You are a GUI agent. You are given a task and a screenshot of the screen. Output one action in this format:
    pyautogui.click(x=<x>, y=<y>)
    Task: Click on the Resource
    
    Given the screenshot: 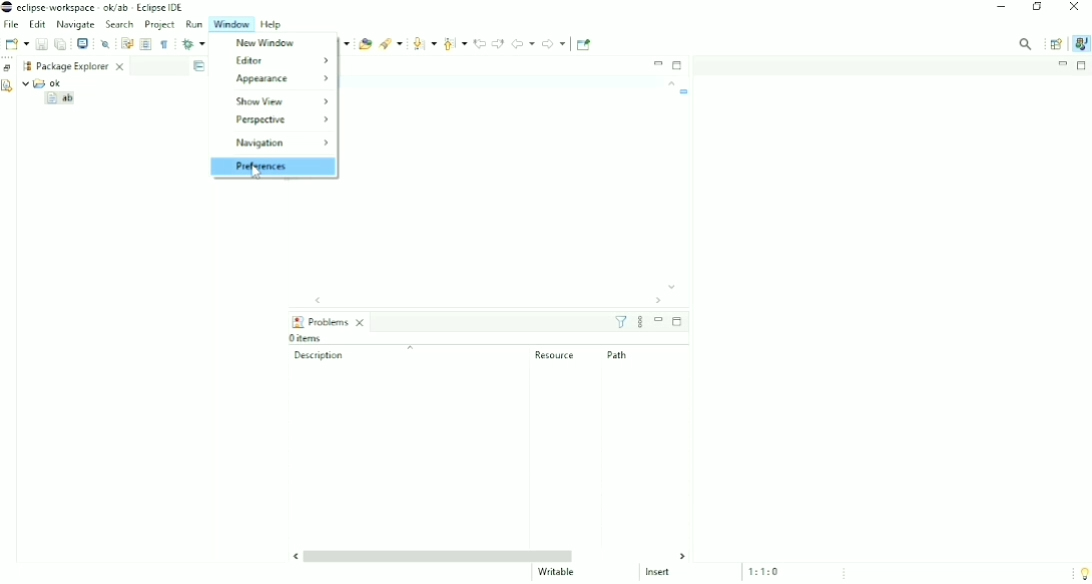 What is the action you would take?
    pyautogui.click(x=556, y=355)
    